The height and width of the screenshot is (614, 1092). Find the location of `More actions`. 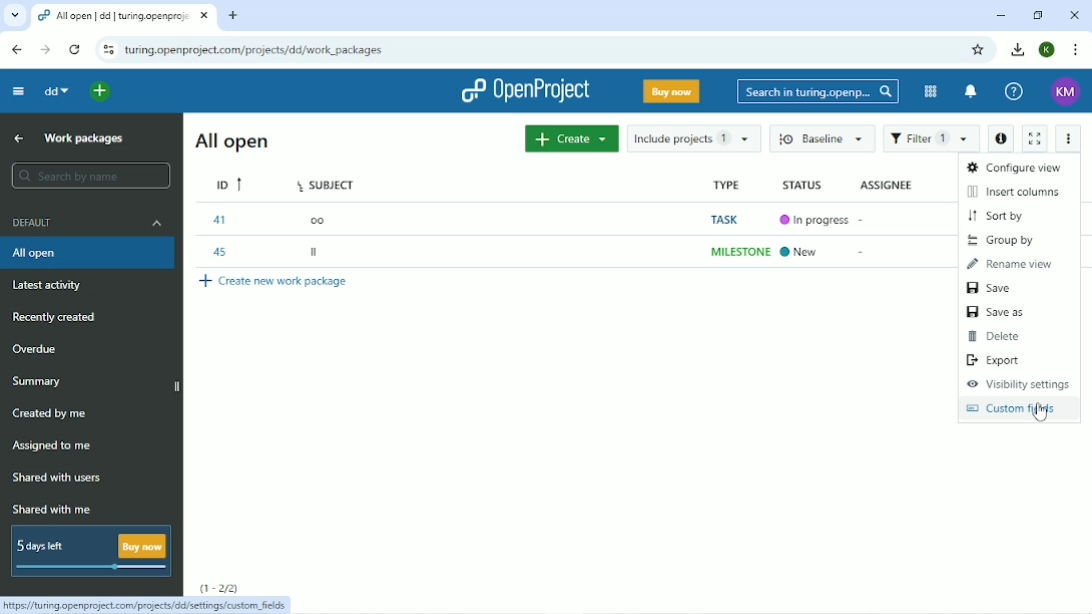

More actions is located at coordinates (1067, 139).